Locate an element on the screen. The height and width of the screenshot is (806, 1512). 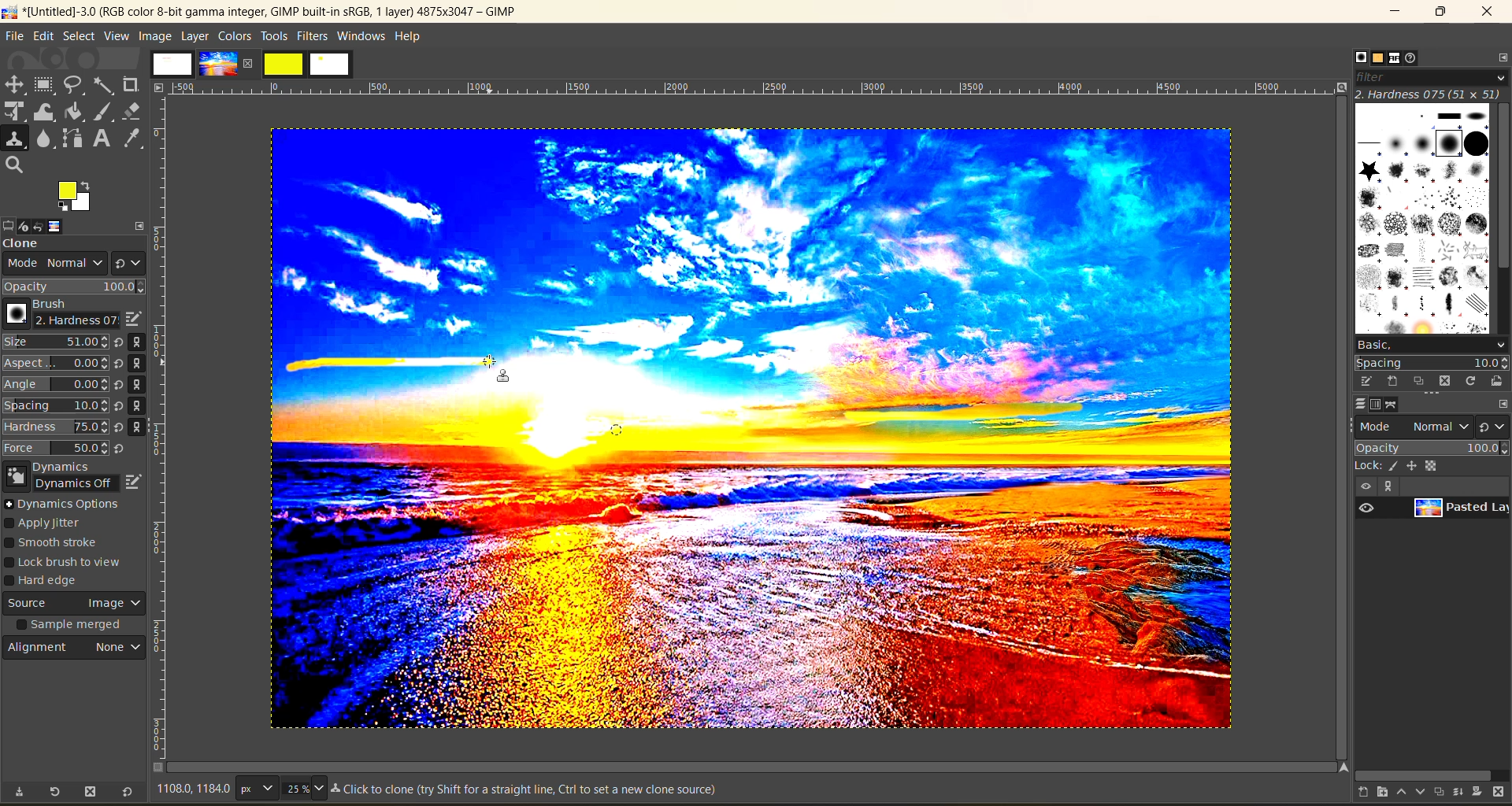
delete this brush is located at coordinates (1445, 380).